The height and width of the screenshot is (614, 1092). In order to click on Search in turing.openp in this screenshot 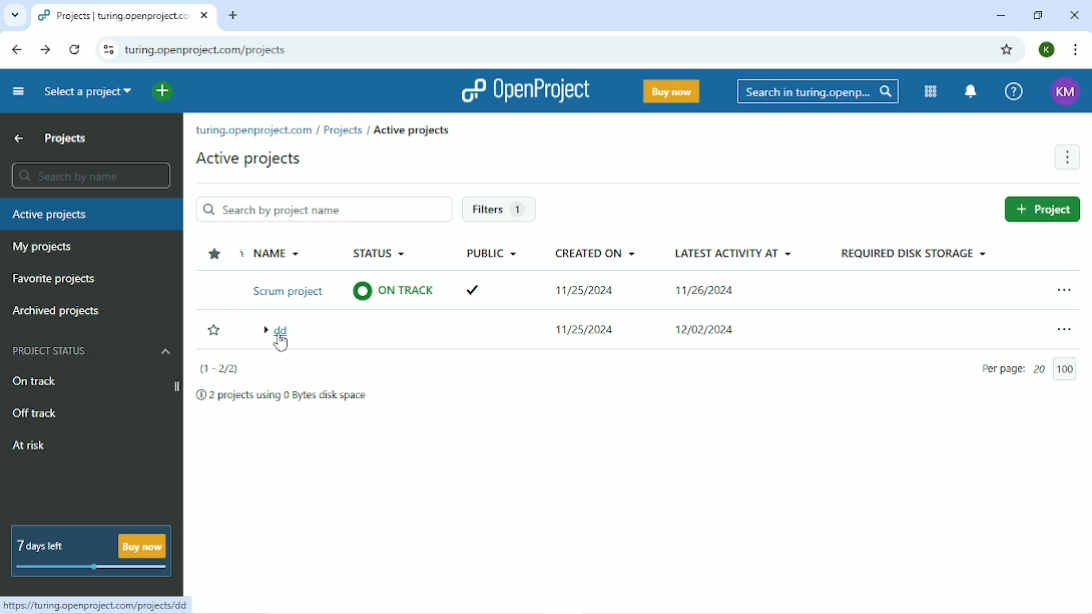, I will do `click(816, 92)`.